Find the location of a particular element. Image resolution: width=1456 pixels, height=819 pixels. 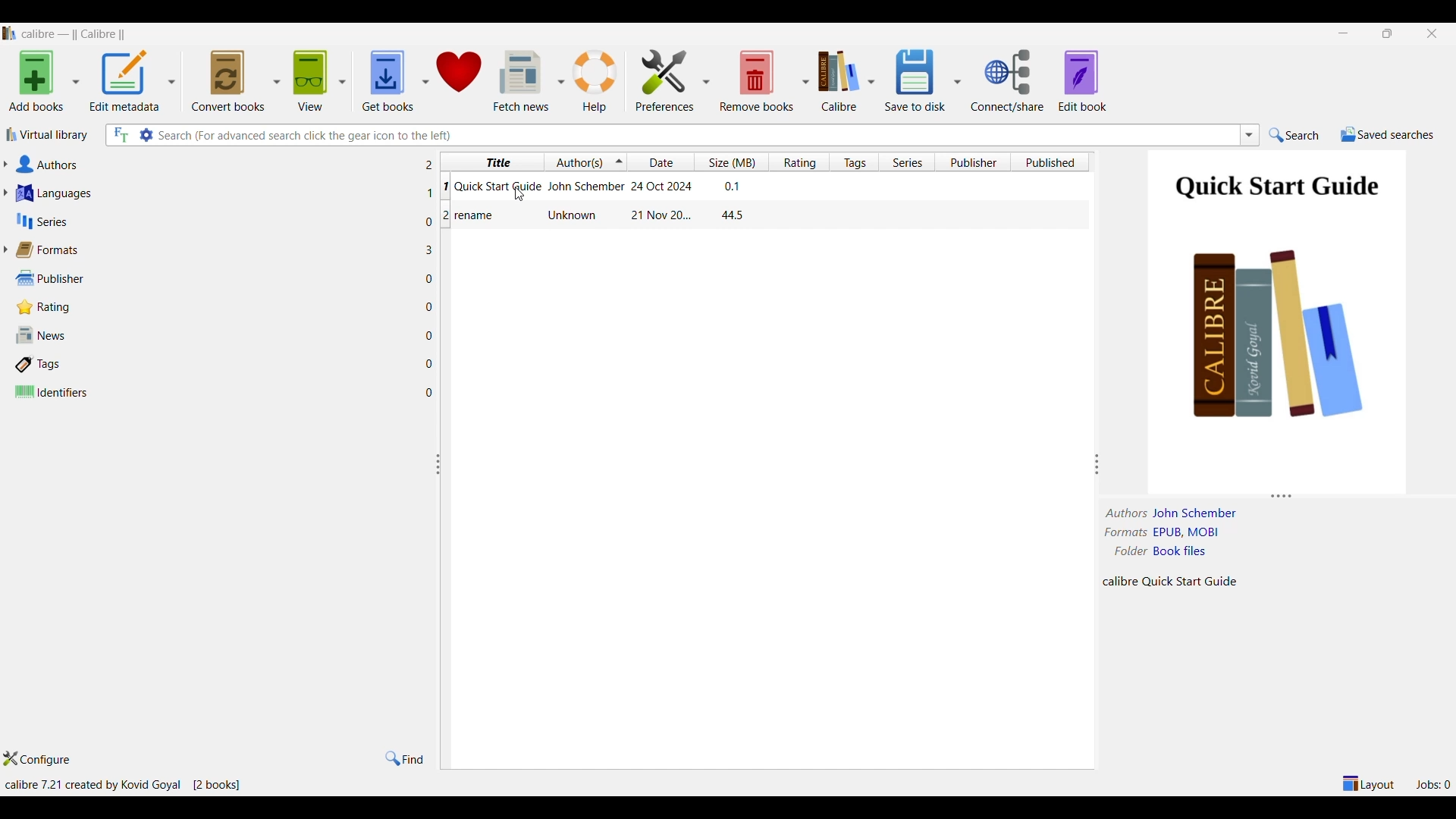

Preview of selected file is located at coordinates (1276, 314).